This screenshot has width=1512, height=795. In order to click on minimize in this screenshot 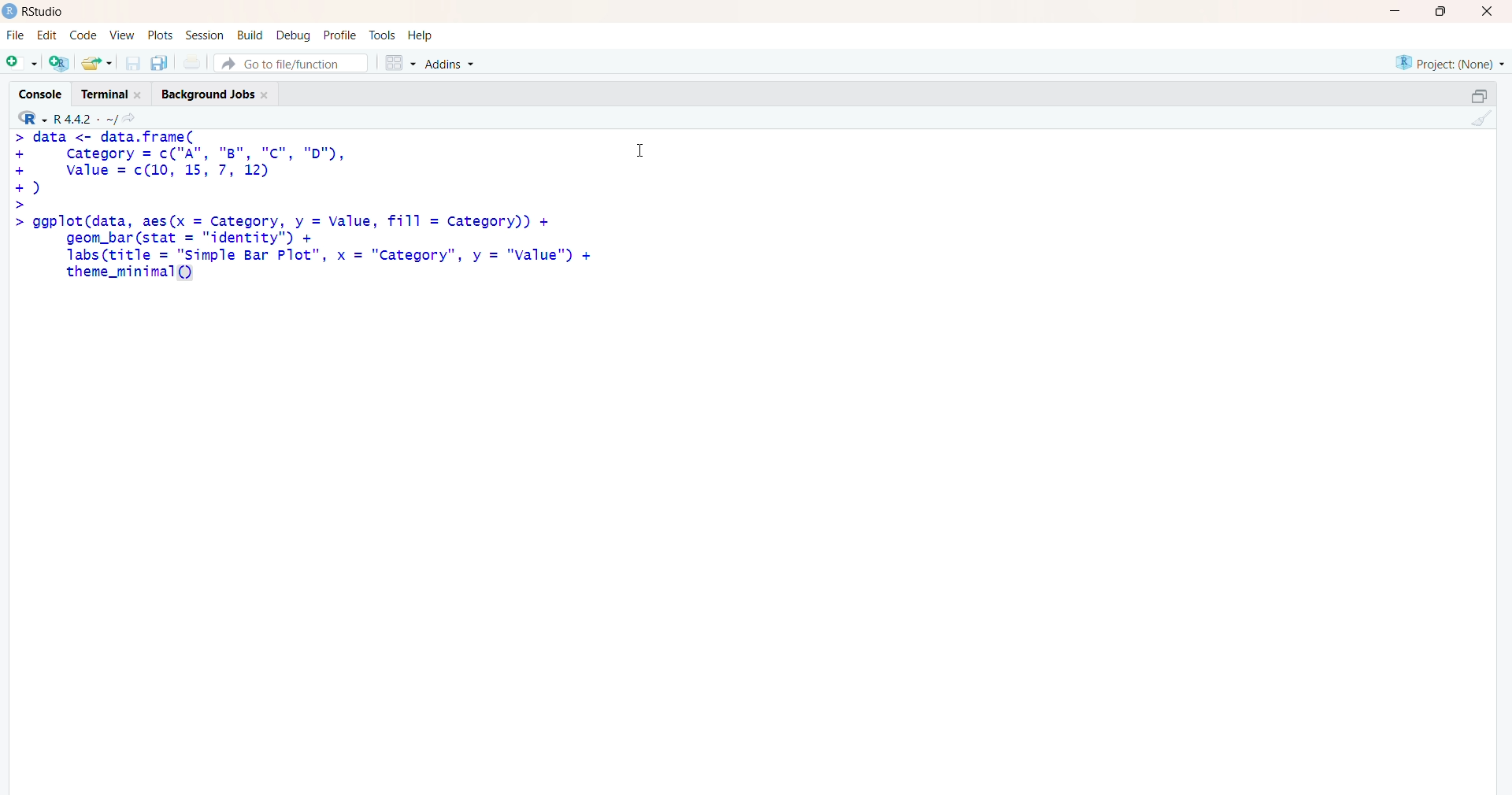, I will do `click(1400, 11)`.